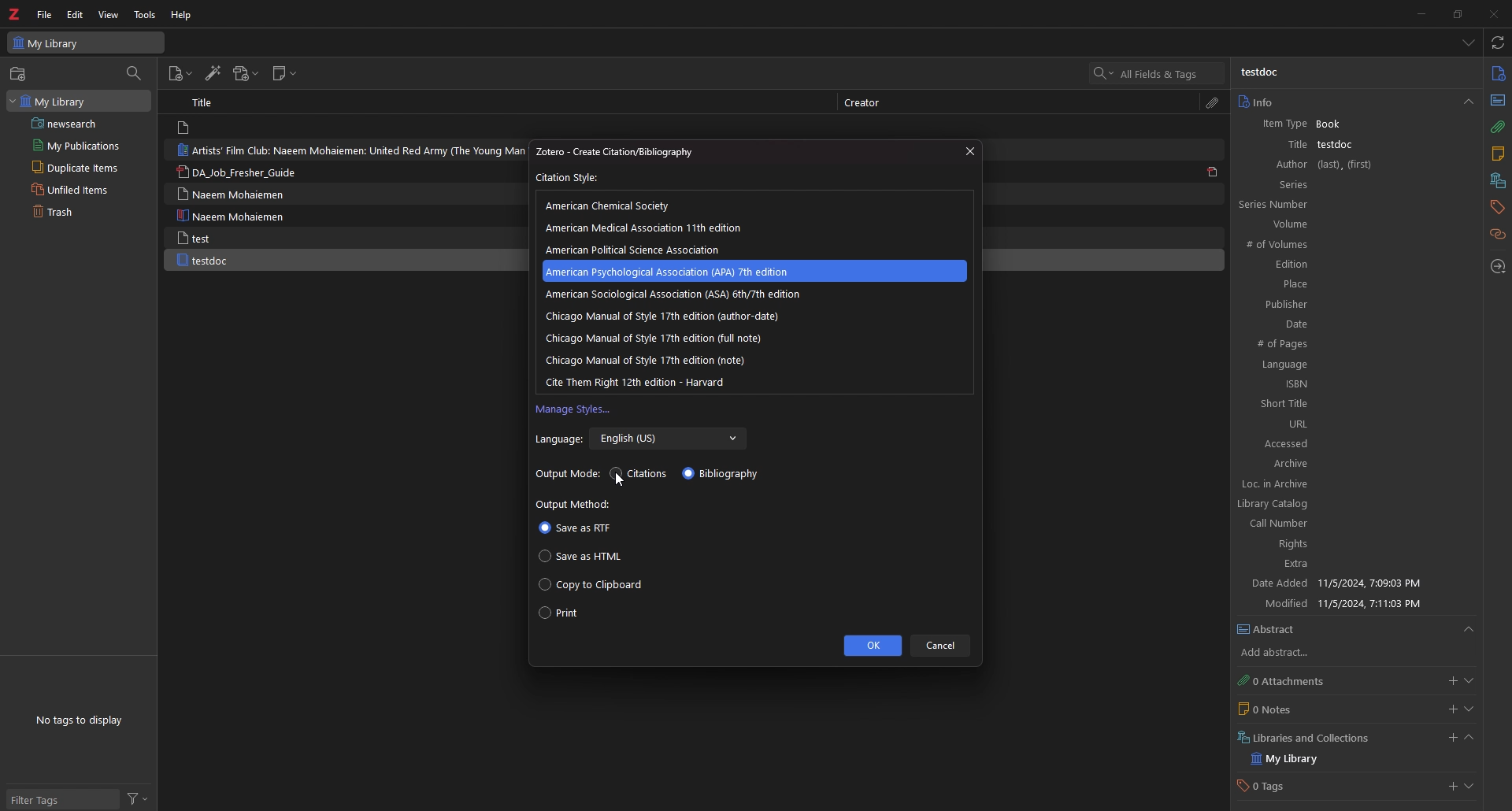 Image resolution: width=1512 pixels, height=811 pixels. What do you see at coordinates (1348, 584) in the screenshot?
I see `Date Added 11/5/2024, 7:09:03 PM` at bounding box center [1348, 584].